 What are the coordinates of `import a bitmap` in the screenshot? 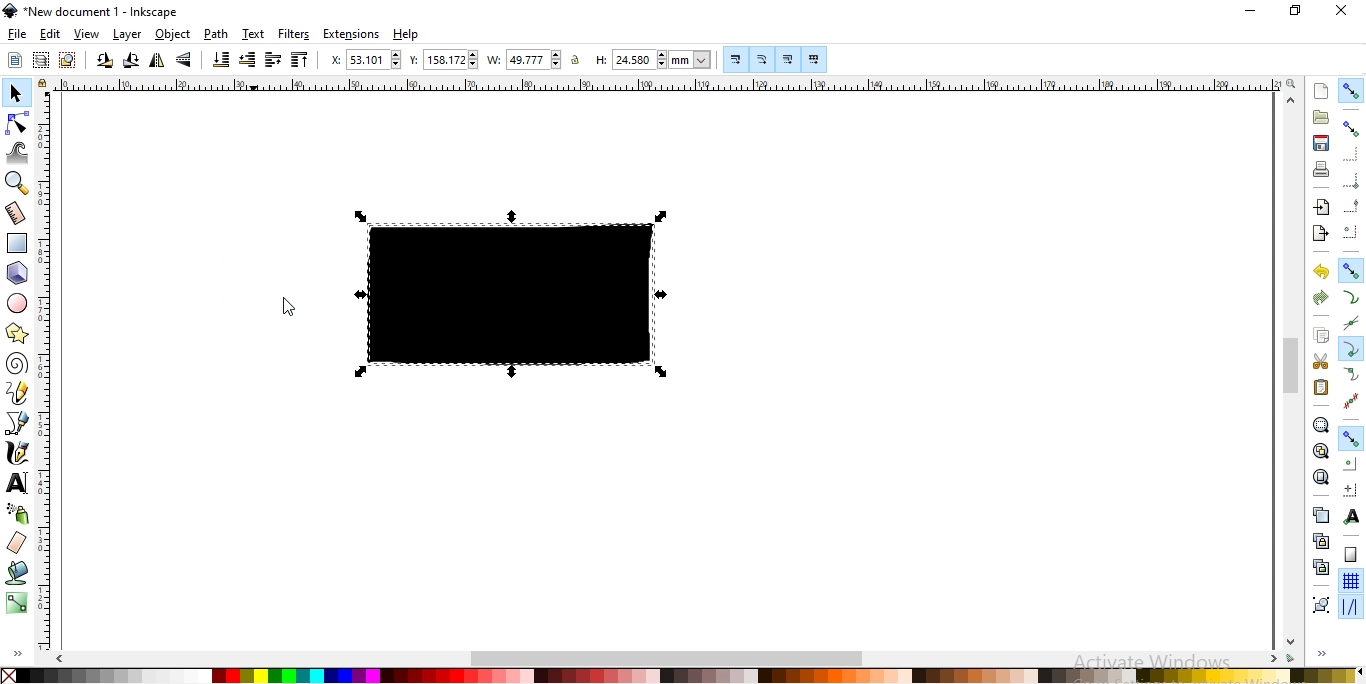 It's located at (1322, 208).